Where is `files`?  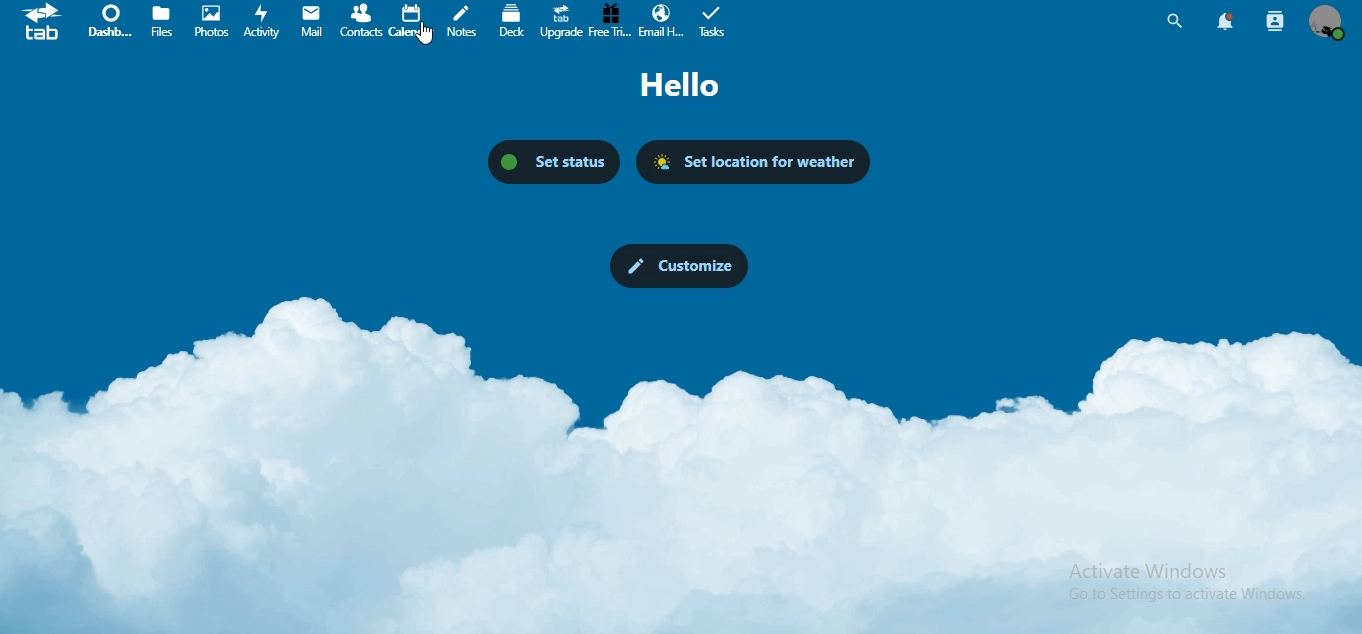
files is located at coordinates (166, 22).